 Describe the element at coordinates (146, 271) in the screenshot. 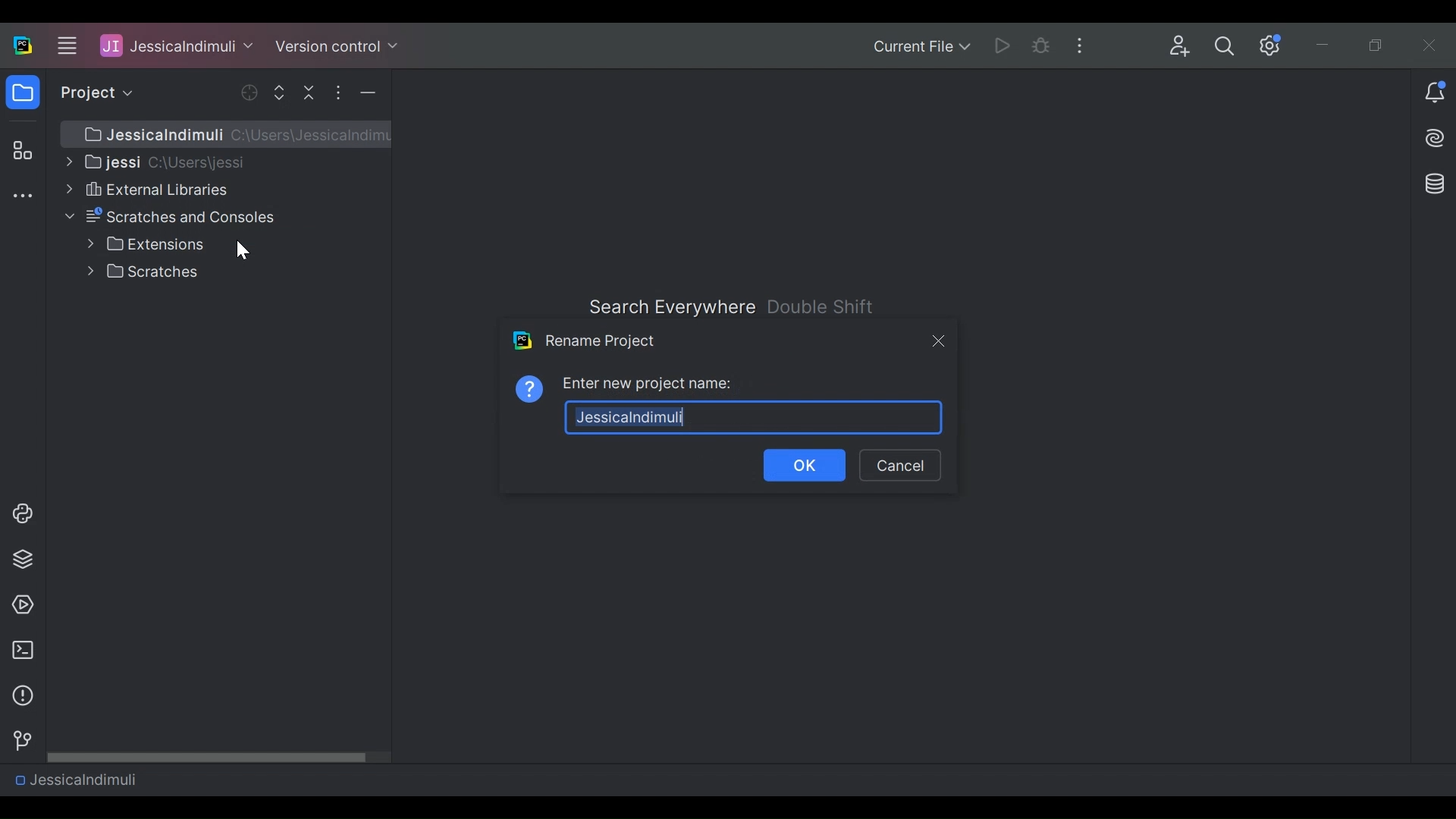

I see `Scratches` at that location.